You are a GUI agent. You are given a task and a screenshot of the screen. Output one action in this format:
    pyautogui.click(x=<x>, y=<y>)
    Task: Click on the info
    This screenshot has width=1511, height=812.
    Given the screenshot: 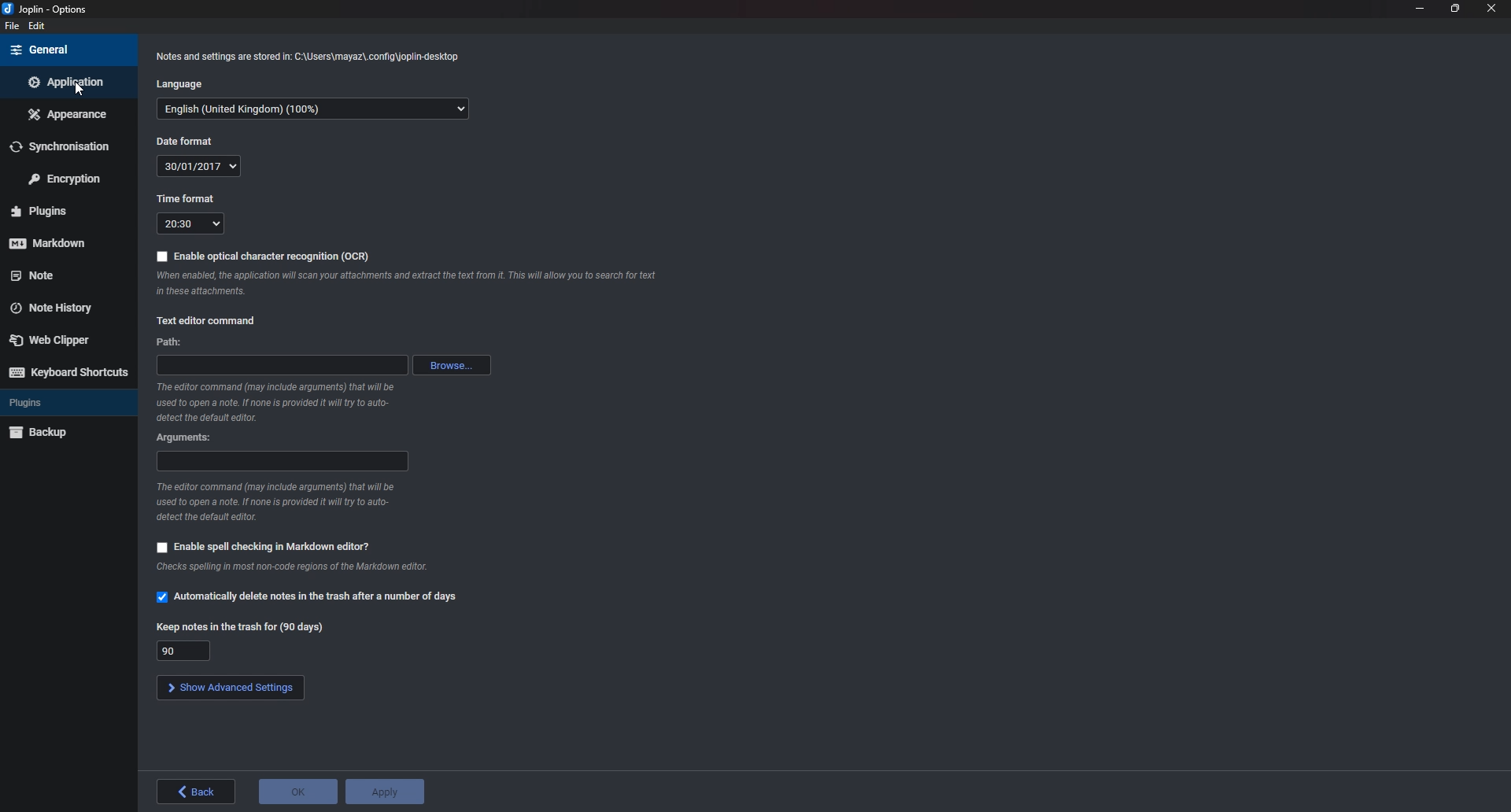 What is the action you would take?
    pyautogui.click(x=289, y=569)
    